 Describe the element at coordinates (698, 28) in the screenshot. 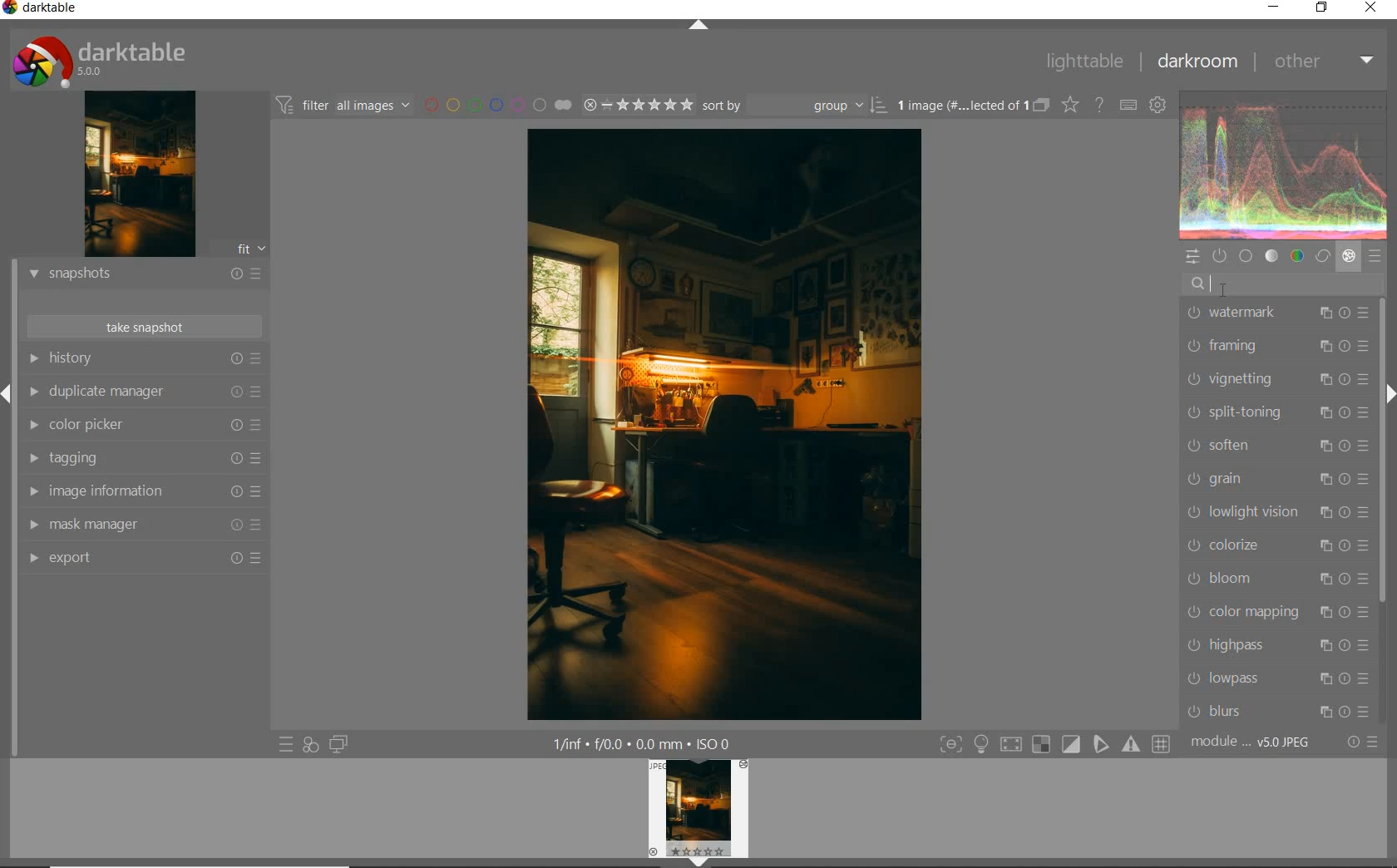

I see `expand/collapse` at that location.